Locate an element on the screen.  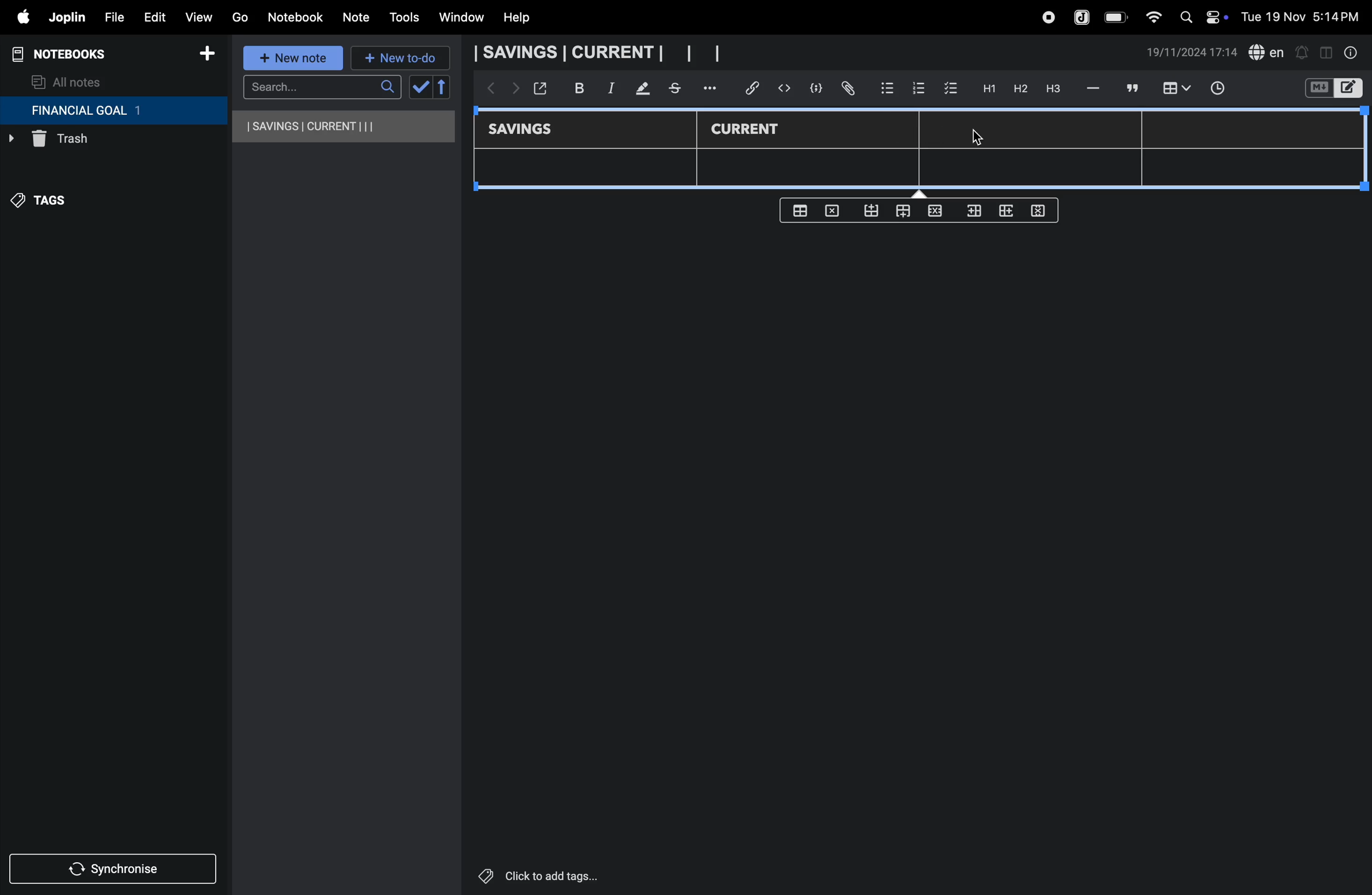
view is located at coordinates (198, 14).